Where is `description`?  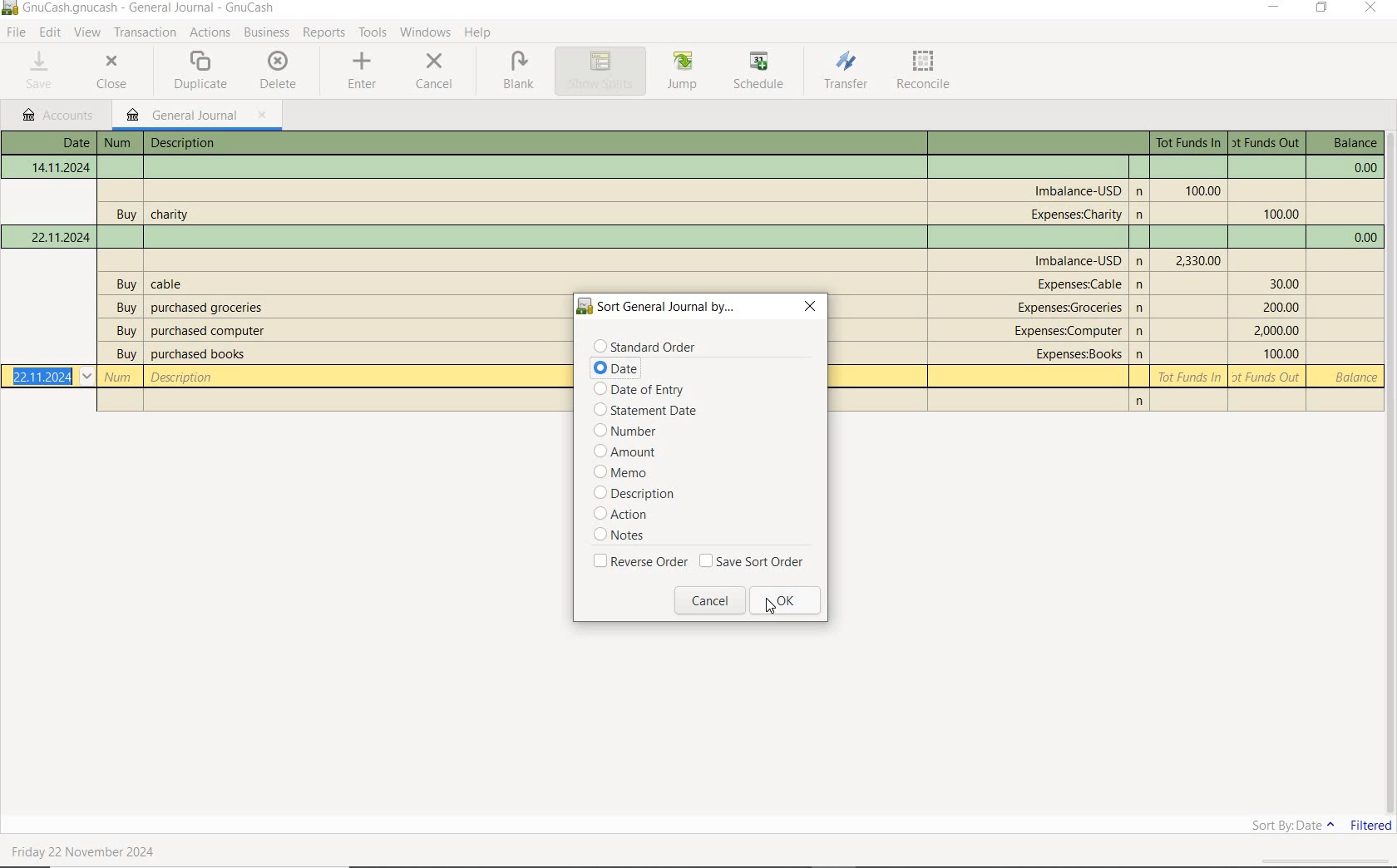 description is located at coordinates (184, 377).